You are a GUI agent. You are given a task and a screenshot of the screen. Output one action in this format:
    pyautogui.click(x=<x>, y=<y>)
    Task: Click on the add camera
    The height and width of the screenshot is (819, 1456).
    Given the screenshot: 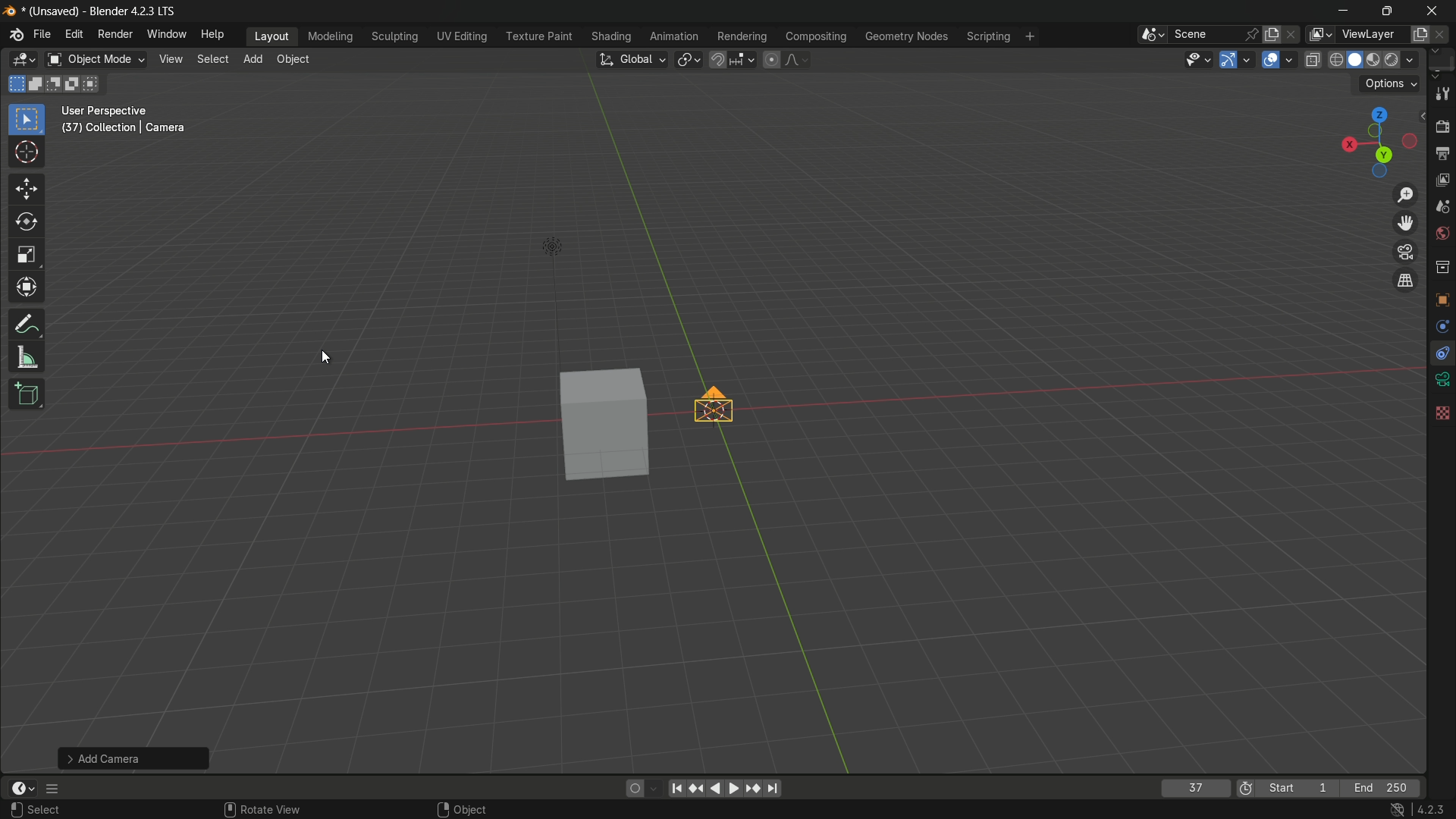 What is the action you would take?
    pyautogui.click(x=126, y=754)
    